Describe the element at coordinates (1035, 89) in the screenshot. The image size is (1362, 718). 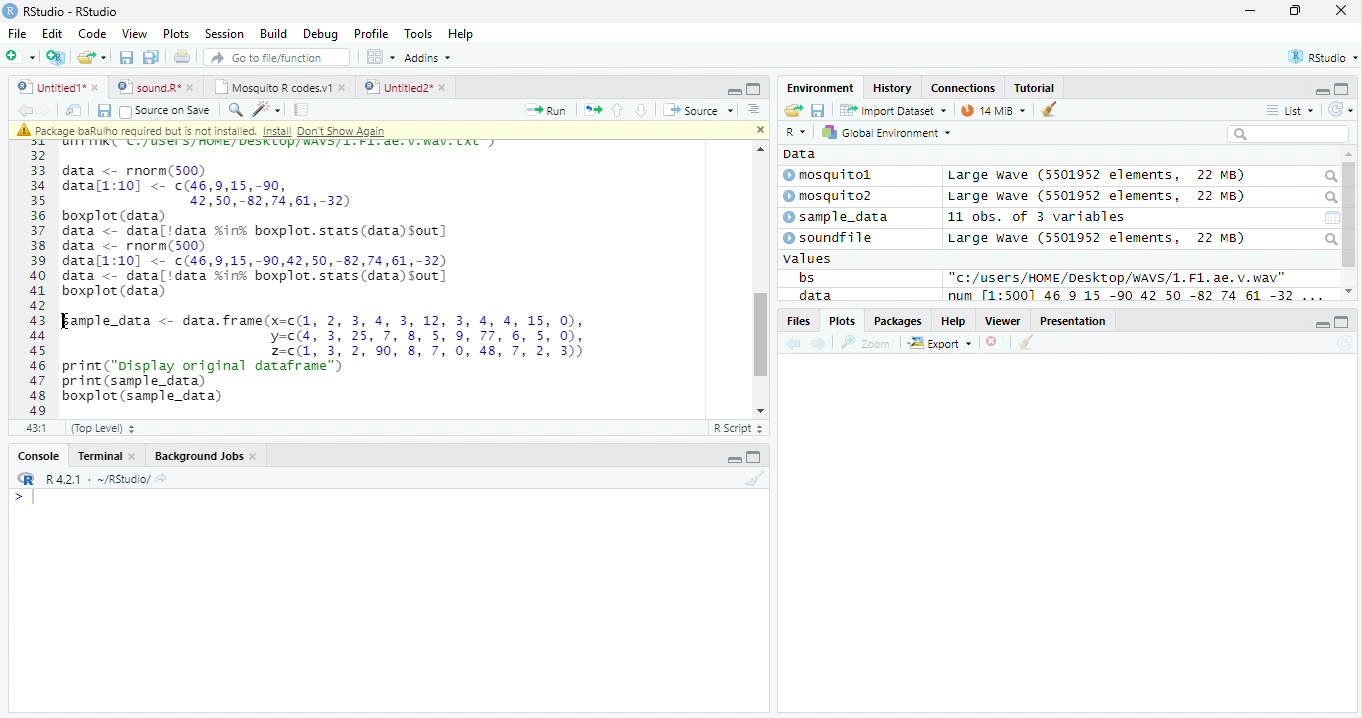
I see `Tutorial` at that location.